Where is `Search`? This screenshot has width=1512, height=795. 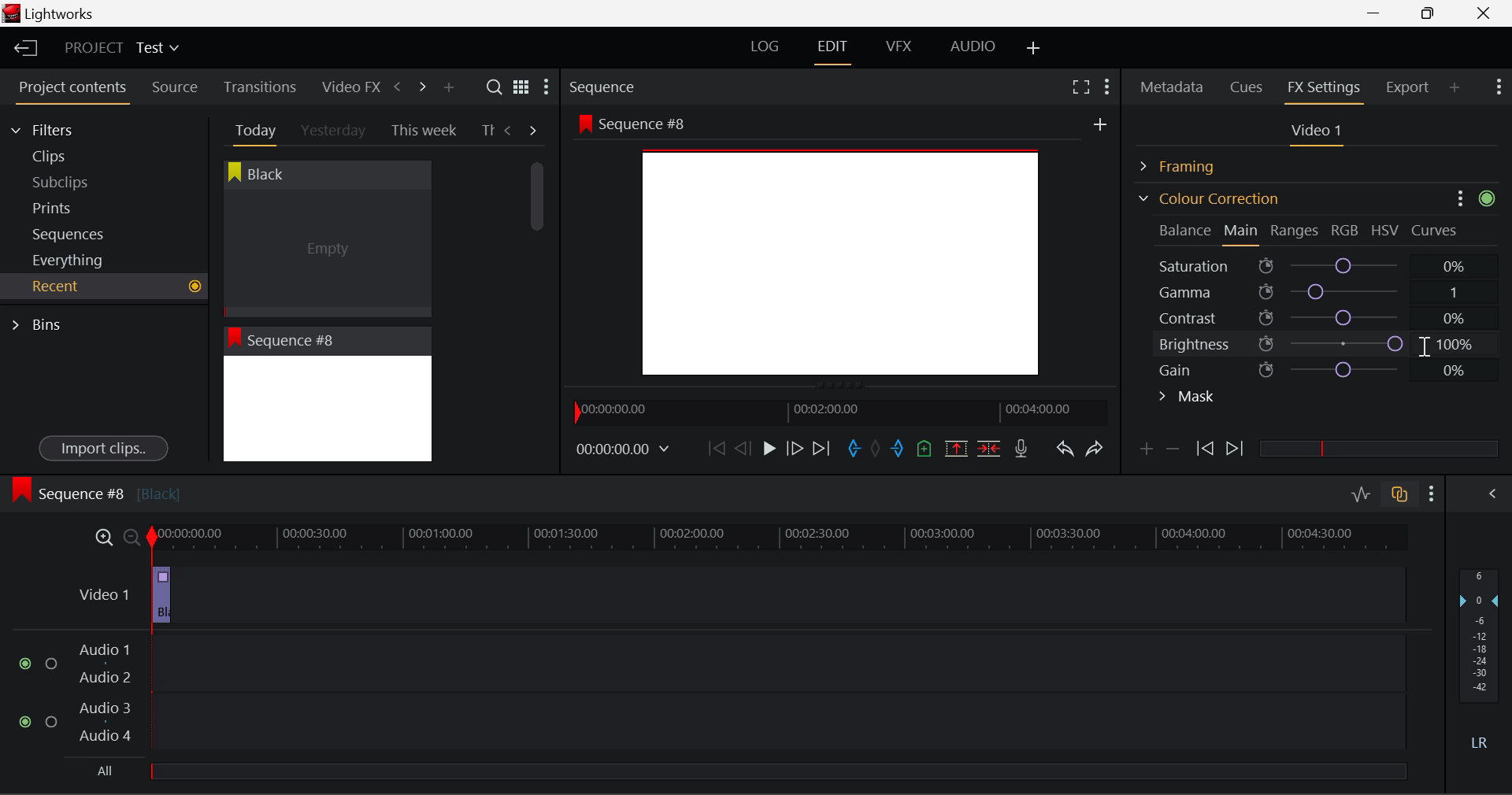 Search is located at coordinates (496, 87).